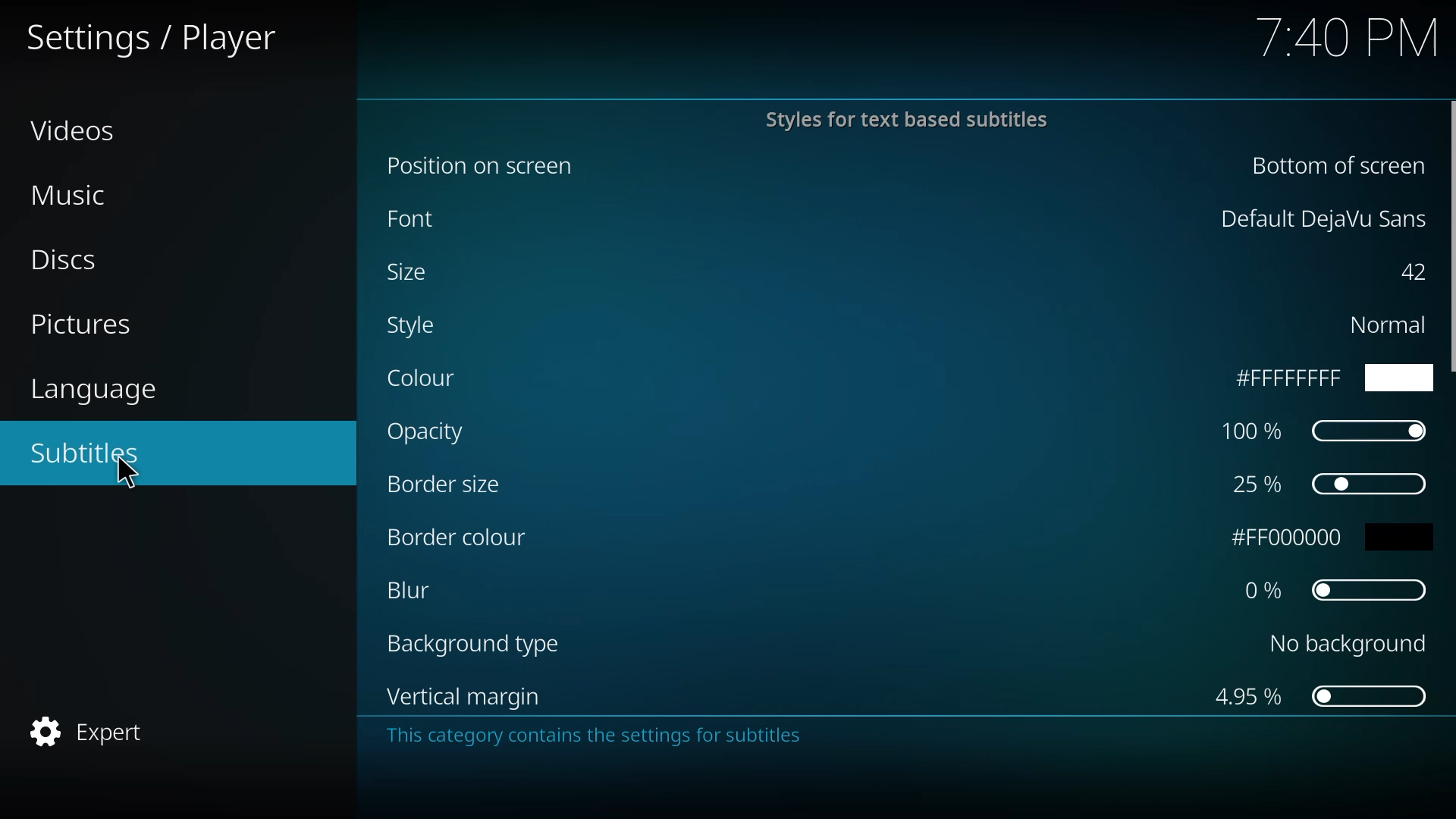  I want to click on no background, so click(1344, 641).